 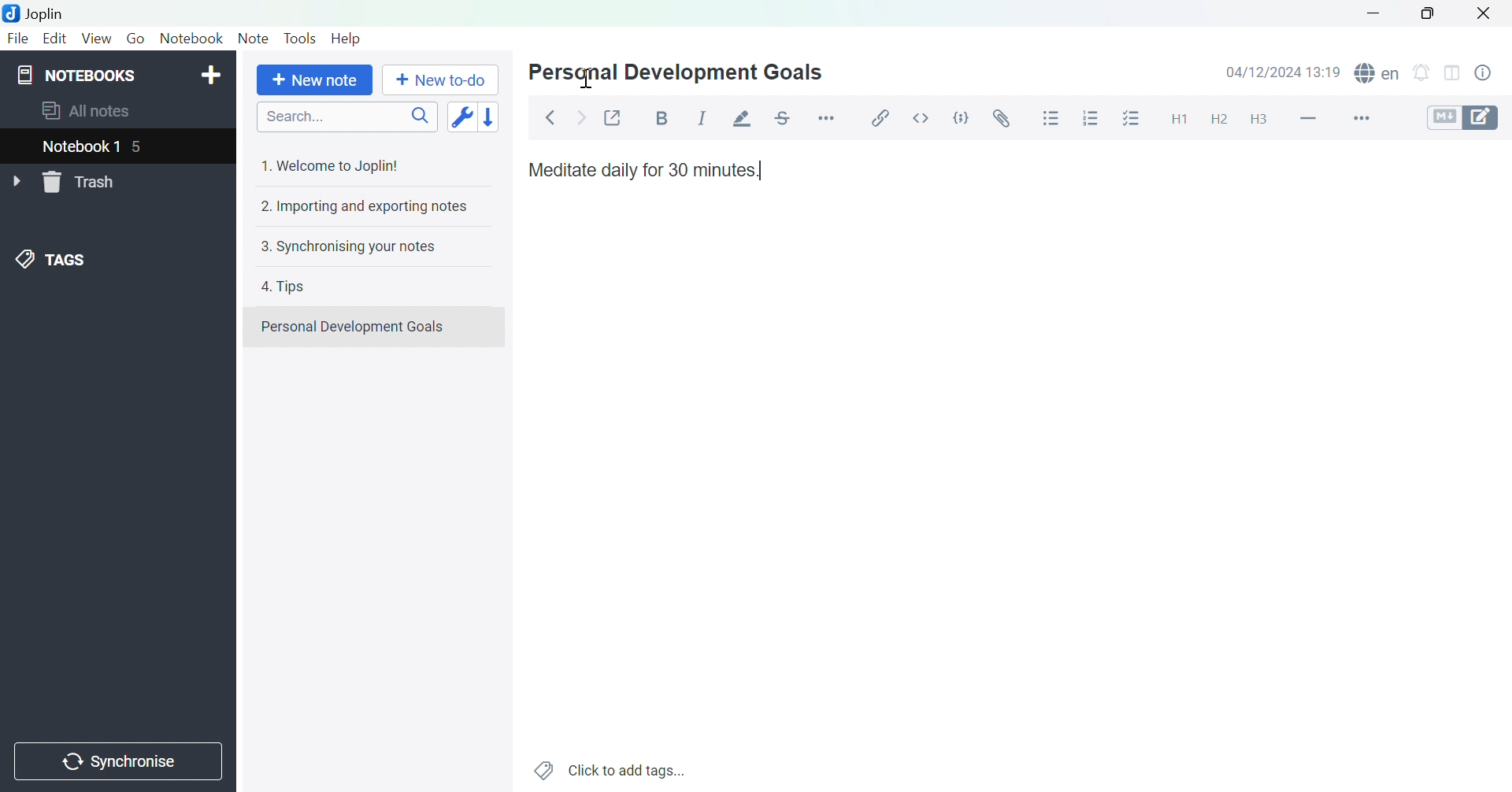 What do you see at coordinates (193, 41) in the screenshot?
I see `Notebook` at bounding box center [193, 41].